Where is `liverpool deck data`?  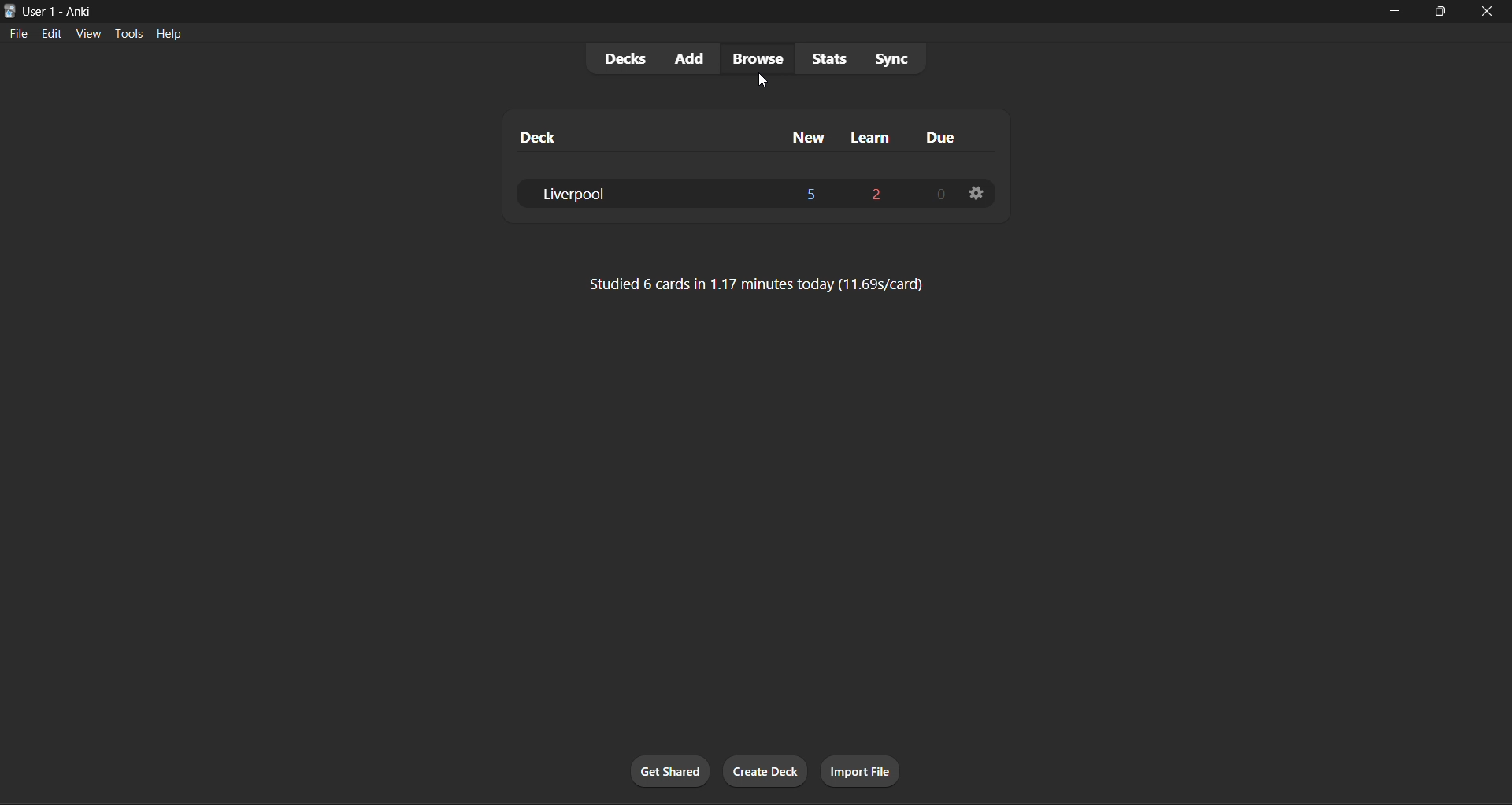 liverpool deck data is located at coordinates (734, 195).